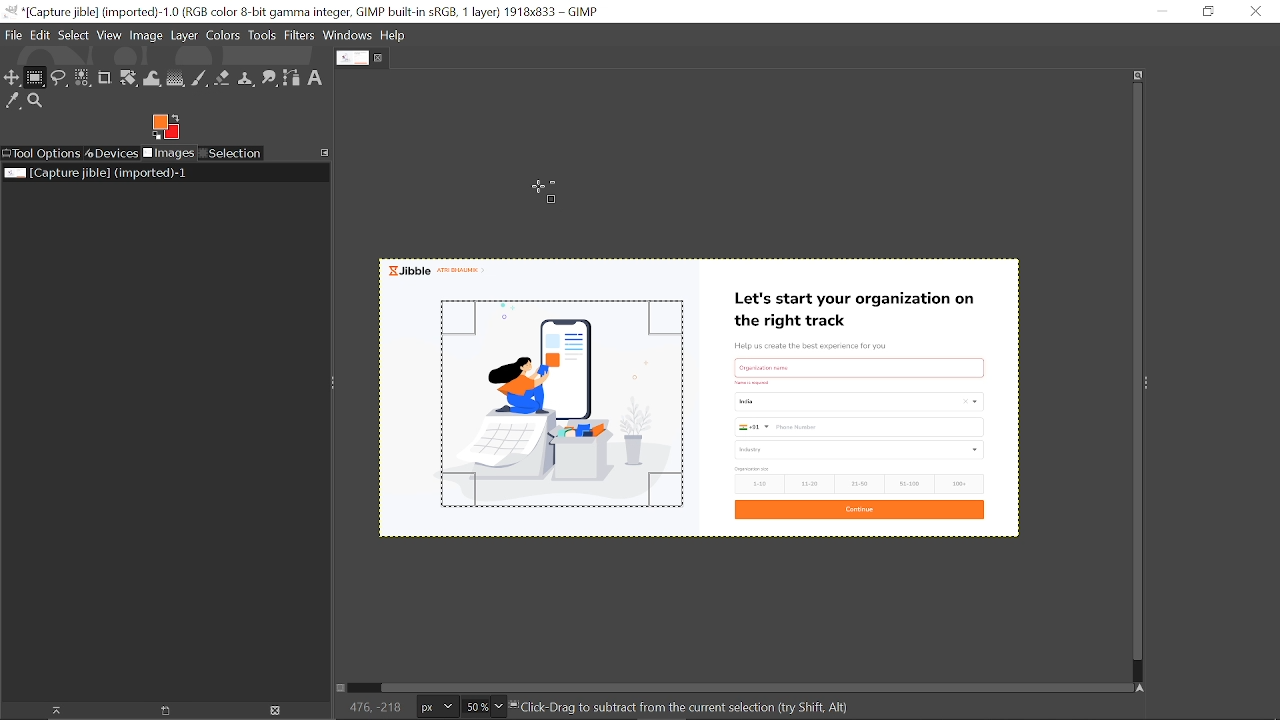  What do you see at coordinates (1257, 11) in the screenshot?
I see `Close ` at bounding box center [1257, 11].